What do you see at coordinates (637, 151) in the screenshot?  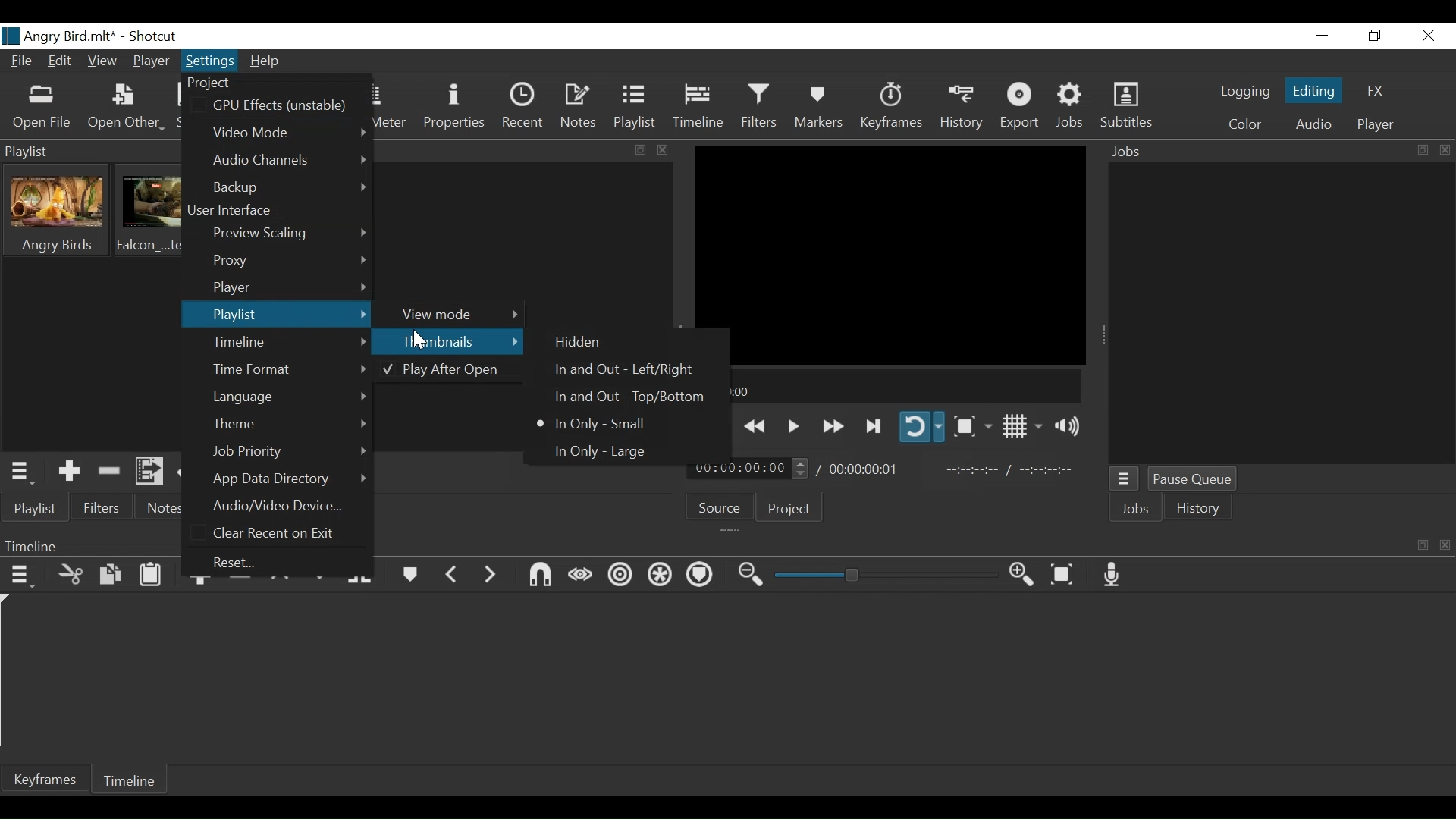 I see `maximize` at bounding box center [637, 151].